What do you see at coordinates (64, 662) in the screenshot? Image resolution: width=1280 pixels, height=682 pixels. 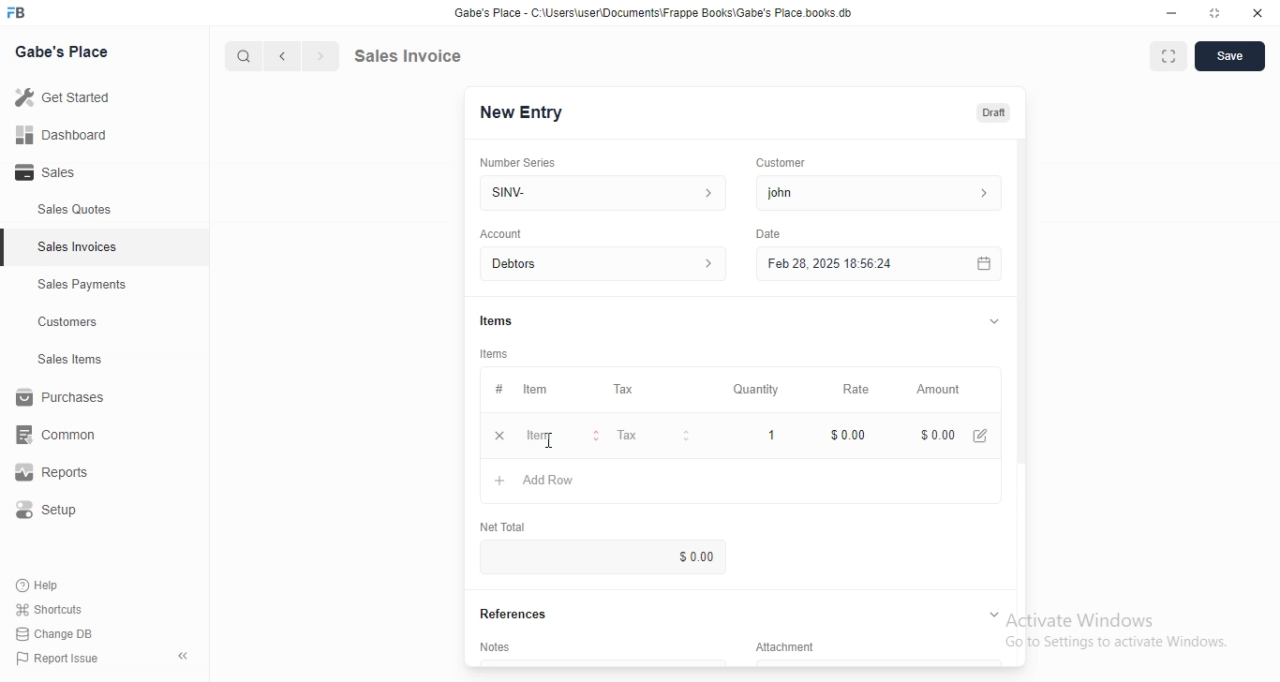 I see `PP Report Issue.` at bounding box center [64, 662].